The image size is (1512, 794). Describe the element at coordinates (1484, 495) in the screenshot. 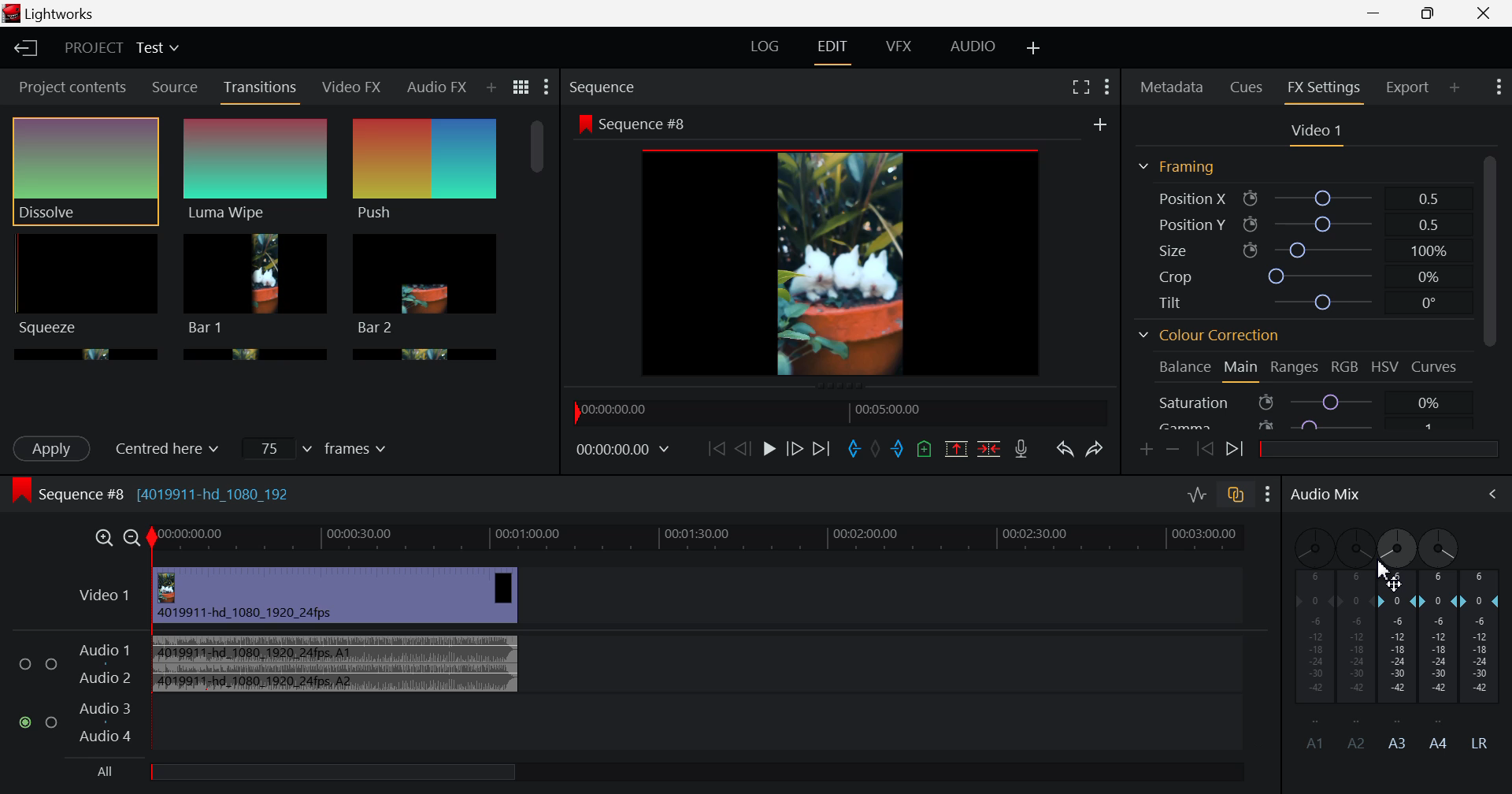

I see `Cursor on Audio Mix` at that location.